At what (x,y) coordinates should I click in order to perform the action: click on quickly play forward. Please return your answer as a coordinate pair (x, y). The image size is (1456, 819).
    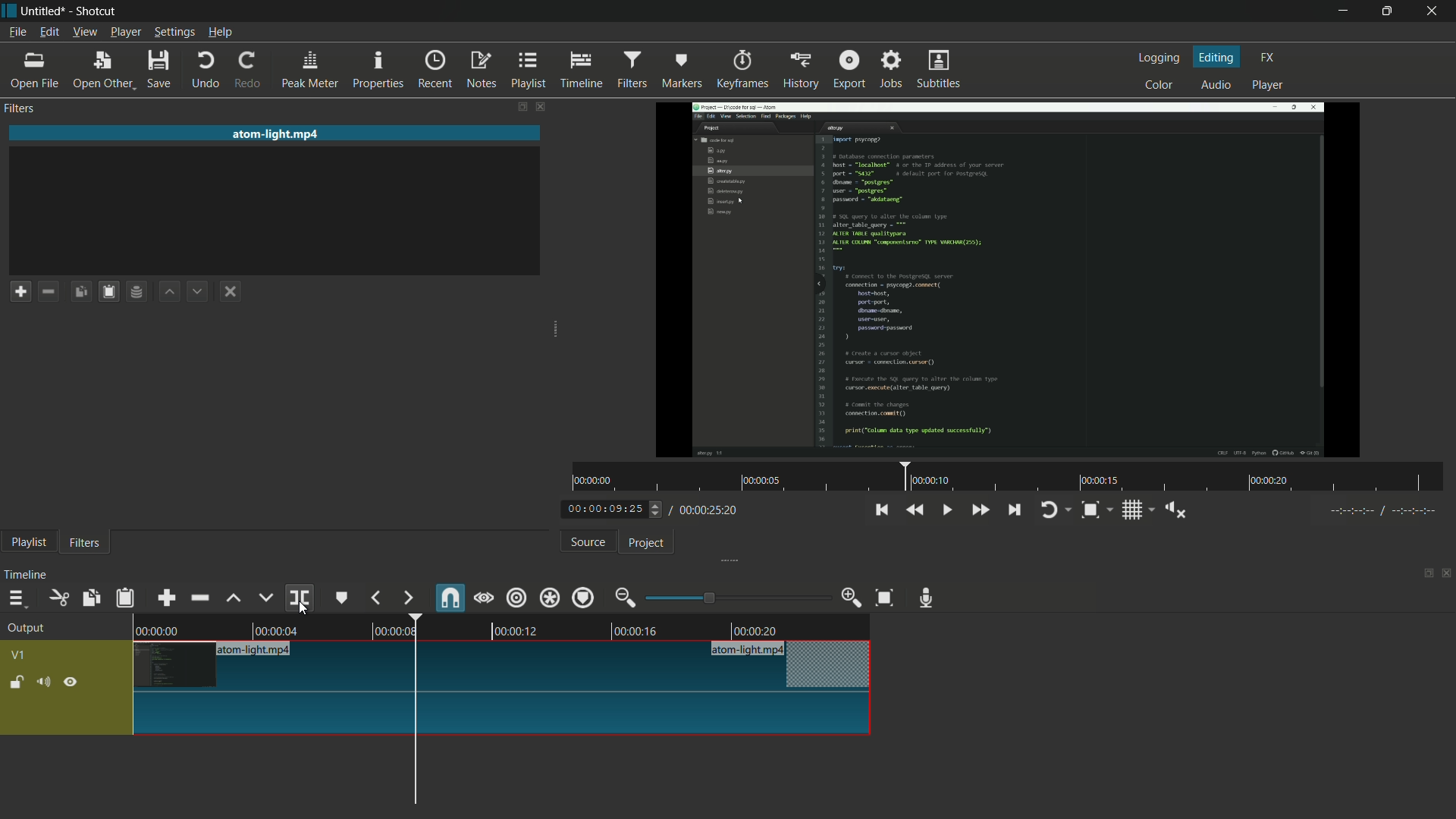
    Looking at the image, I should click on (979, 510).